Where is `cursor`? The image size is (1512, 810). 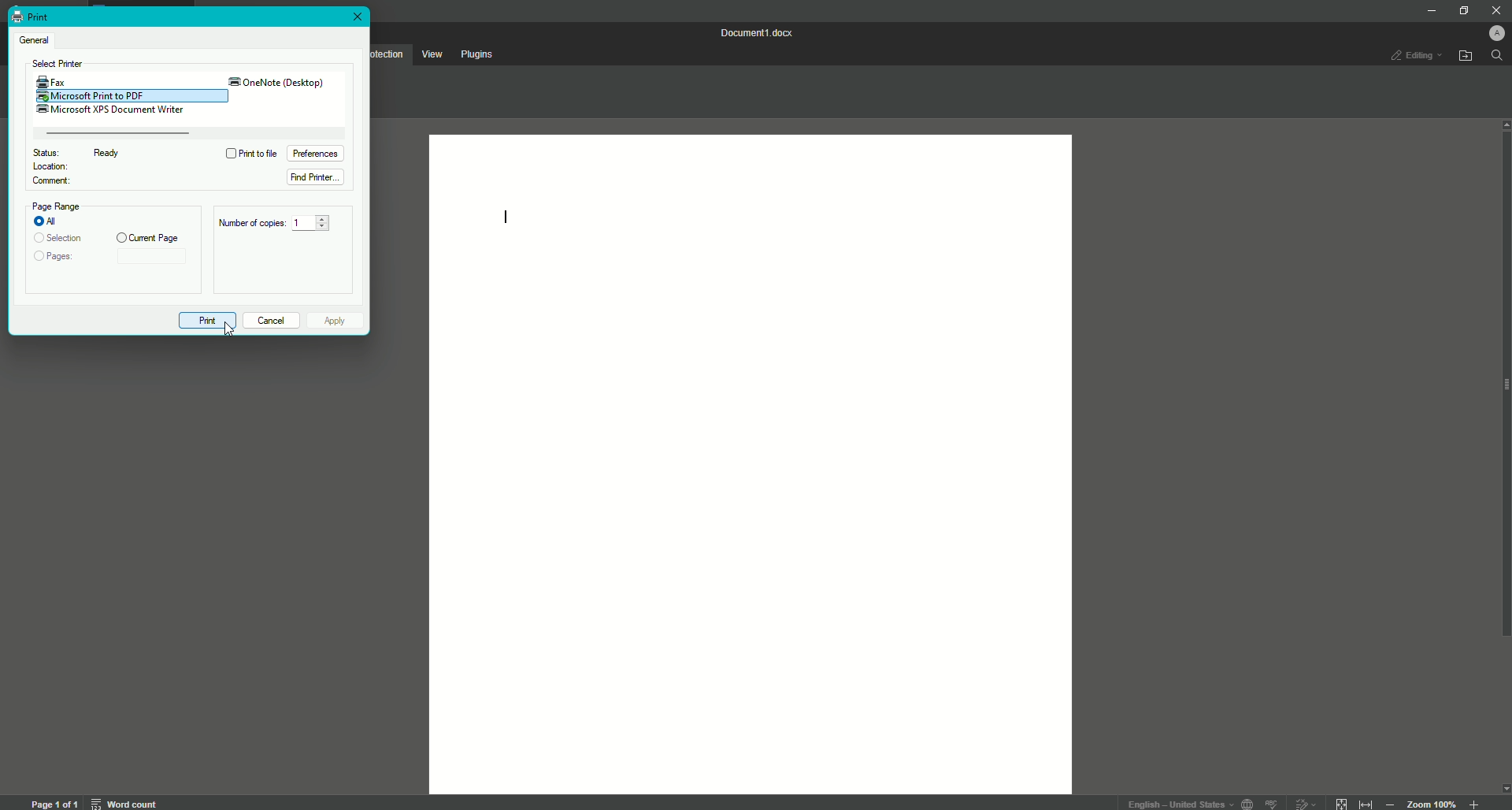 cursor is located at coordinates (228, 335).